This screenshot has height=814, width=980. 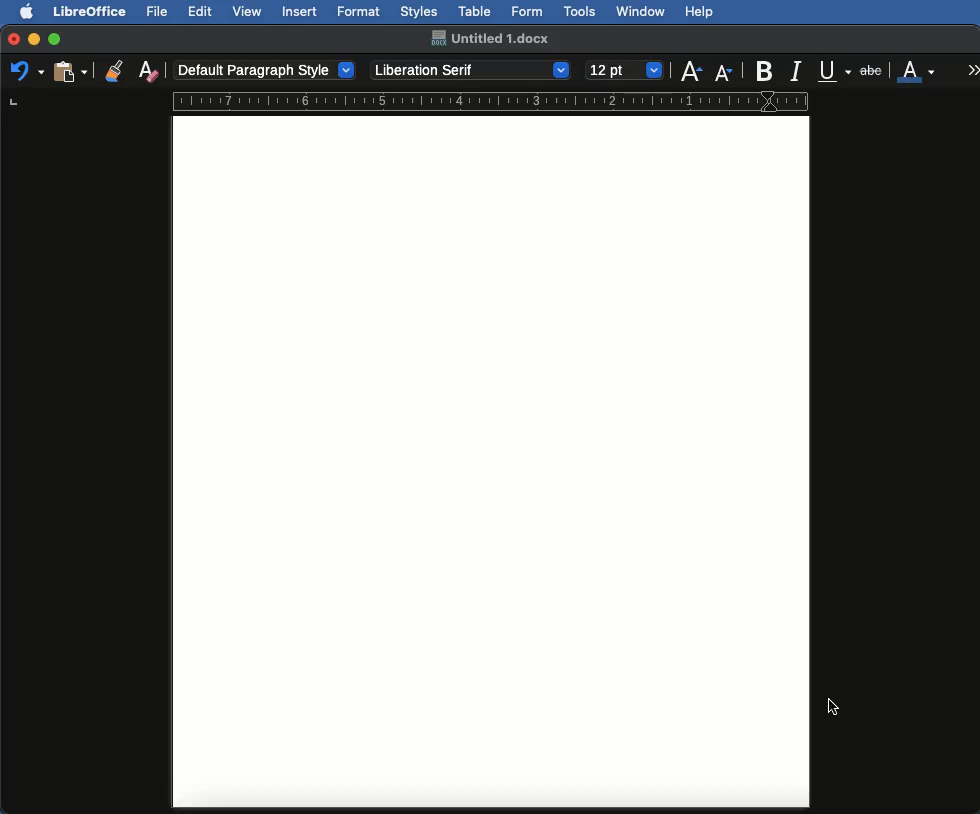 What do you see at coordinates (699, 12) in the screenshot?
I see `Help` at bounding box center [699, 12].